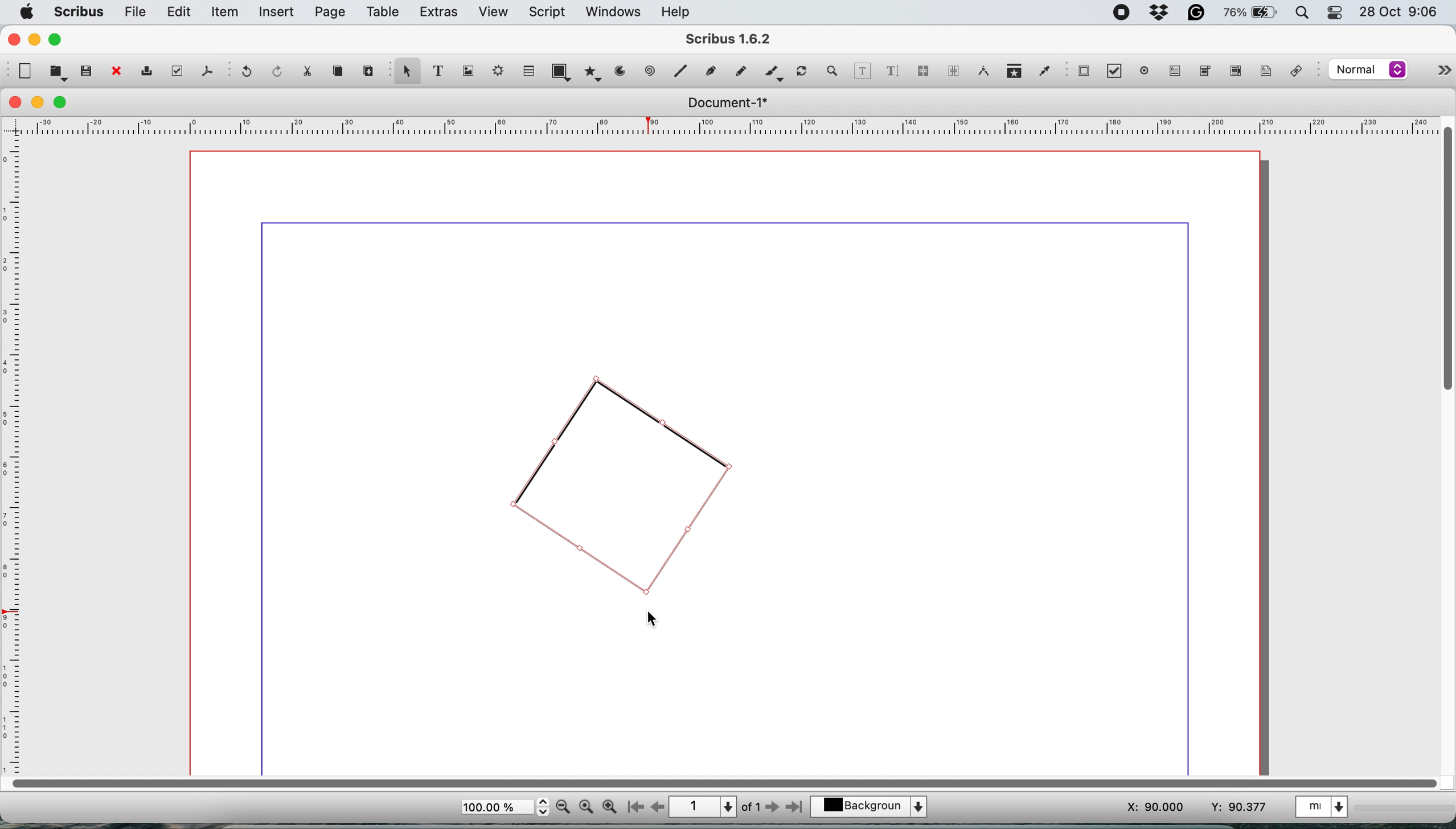  Describe the element at coordinates (501, 73) in the screenshot. I see `render frame` at that location.